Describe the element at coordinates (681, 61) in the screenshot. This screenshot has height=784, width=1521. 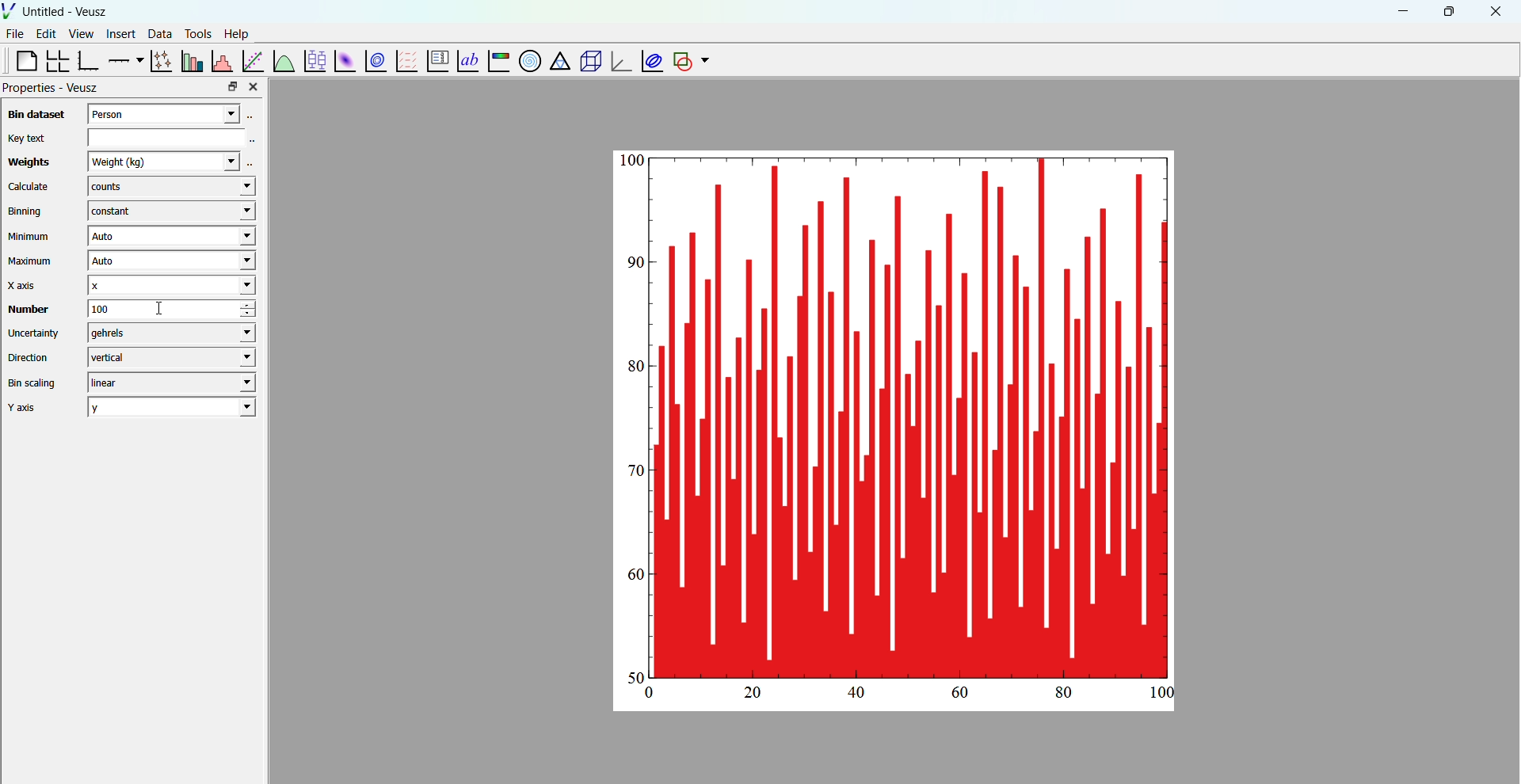
I see `add a shape to the plot` at that location.